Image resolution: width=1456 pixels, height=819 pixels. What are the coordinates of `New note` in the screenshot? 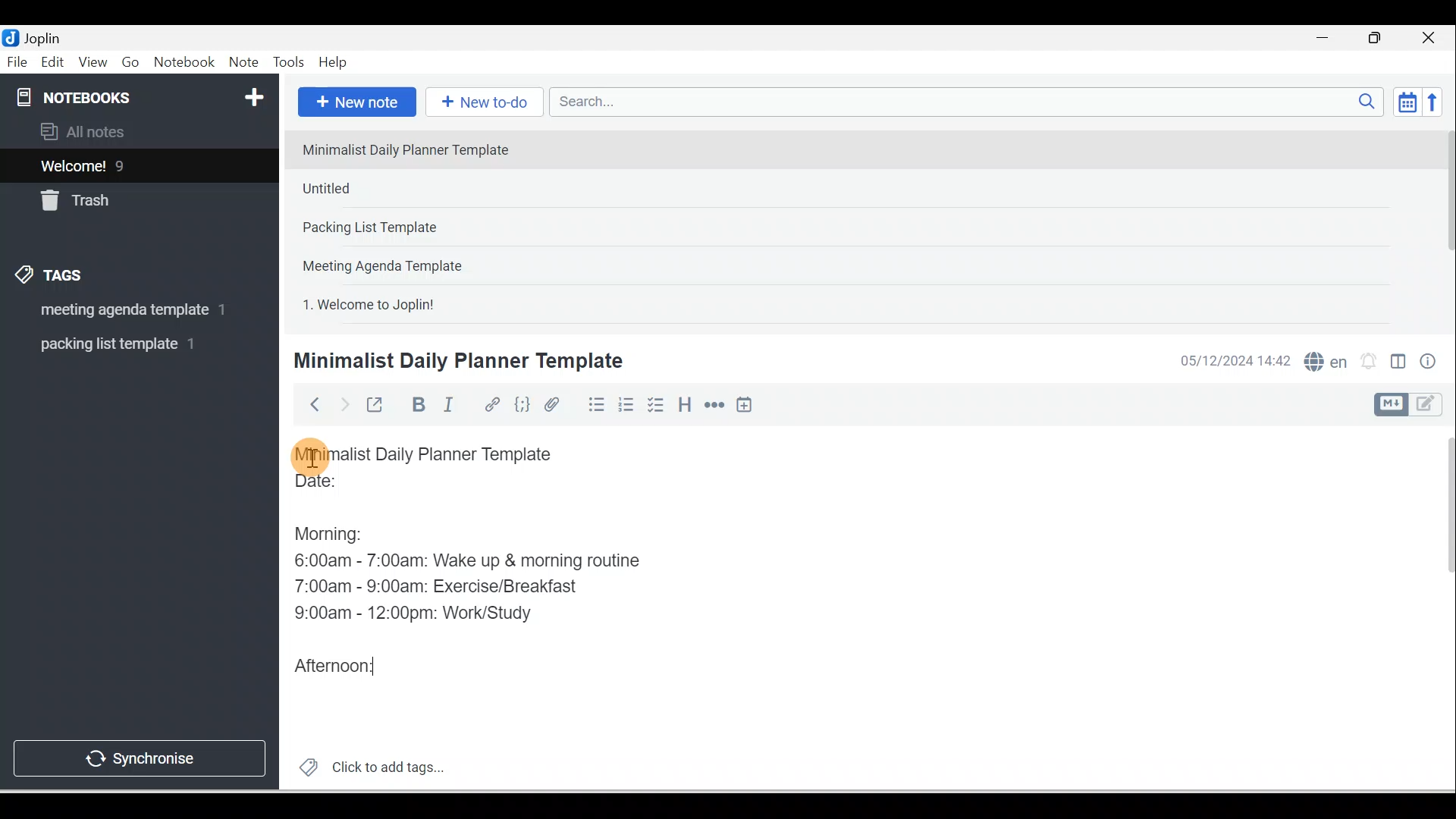 It's located at (354, 103).